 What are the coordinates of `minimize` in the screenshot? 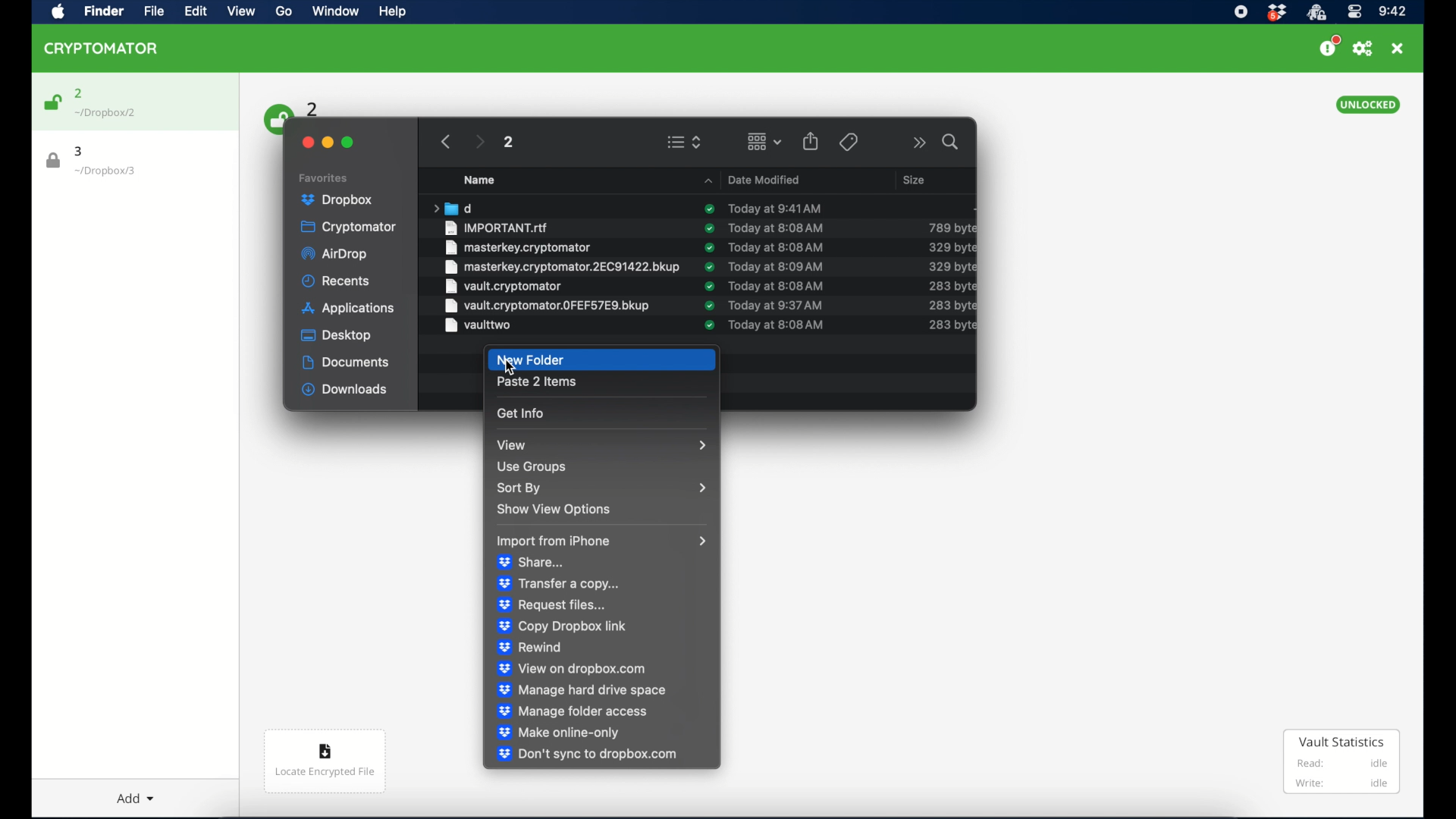 It's located at (328, 143).